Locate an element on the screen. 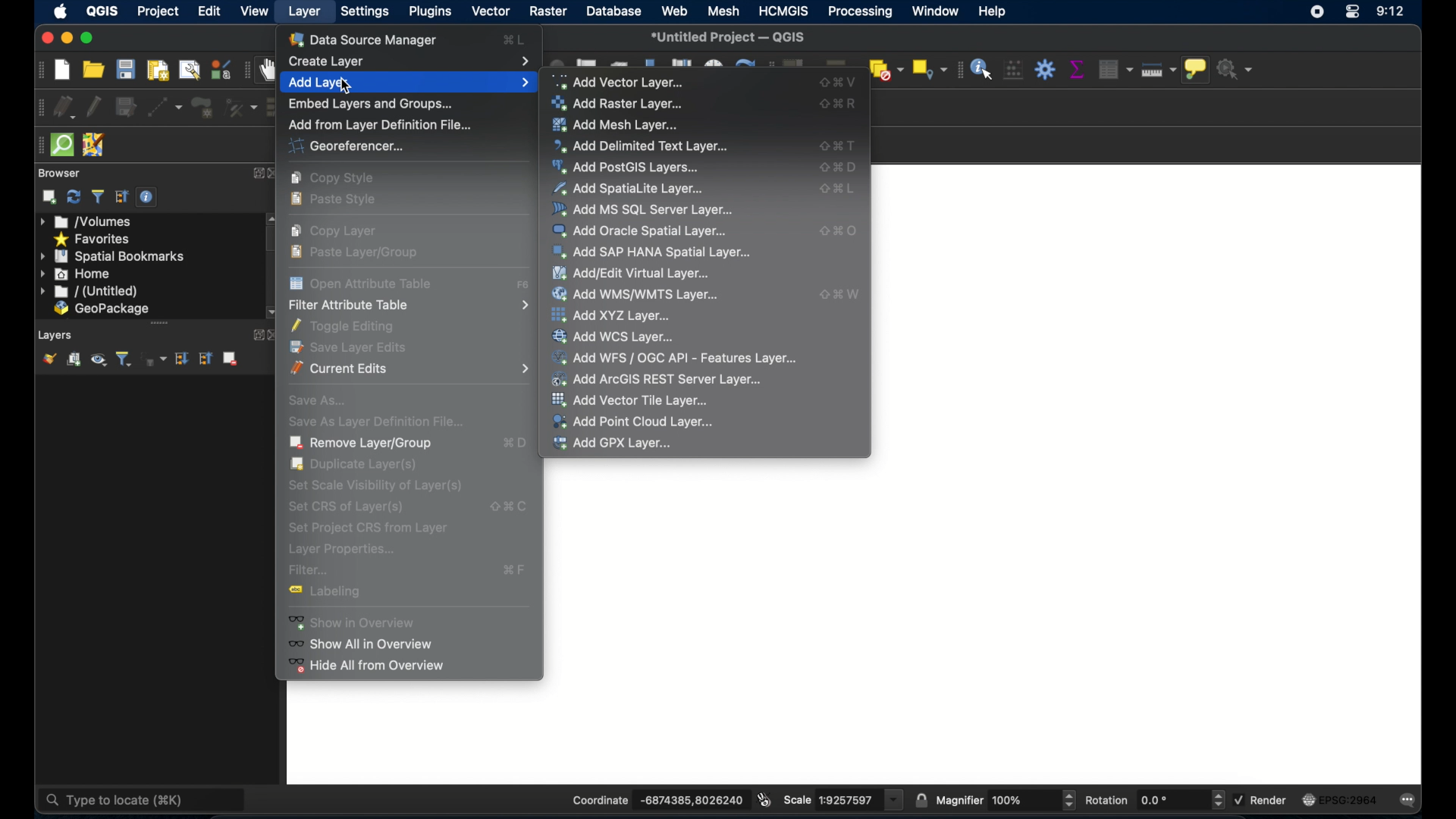 The width and height of the screenshot is (1456, 819). render is located at coordinates (1262, 801).